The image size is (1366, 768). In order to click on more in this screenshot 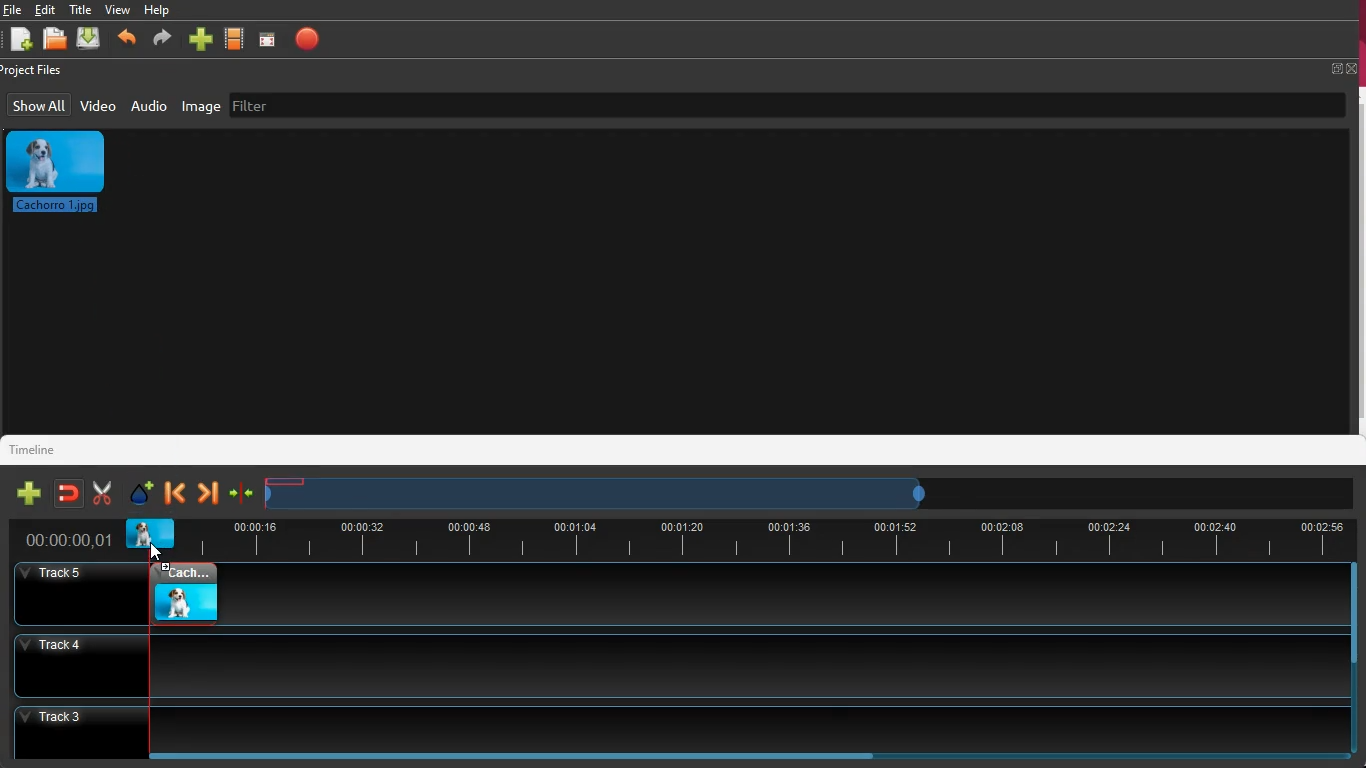, I will do `click(200, 39)`.